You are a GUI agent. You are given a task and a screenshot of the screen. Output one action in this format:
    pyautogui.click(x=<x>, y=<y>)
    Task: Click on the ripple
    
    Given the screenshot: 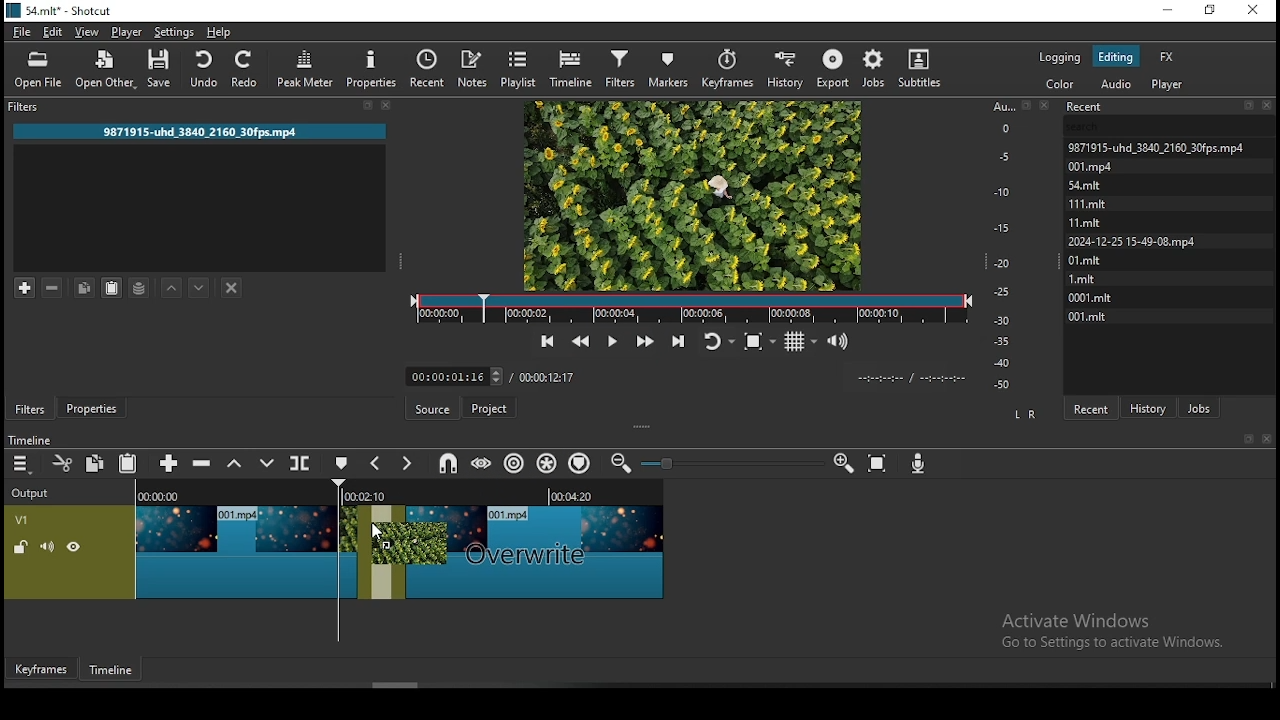 What is the action you would take?
    pyautogui.click(x=511, y=463)
    